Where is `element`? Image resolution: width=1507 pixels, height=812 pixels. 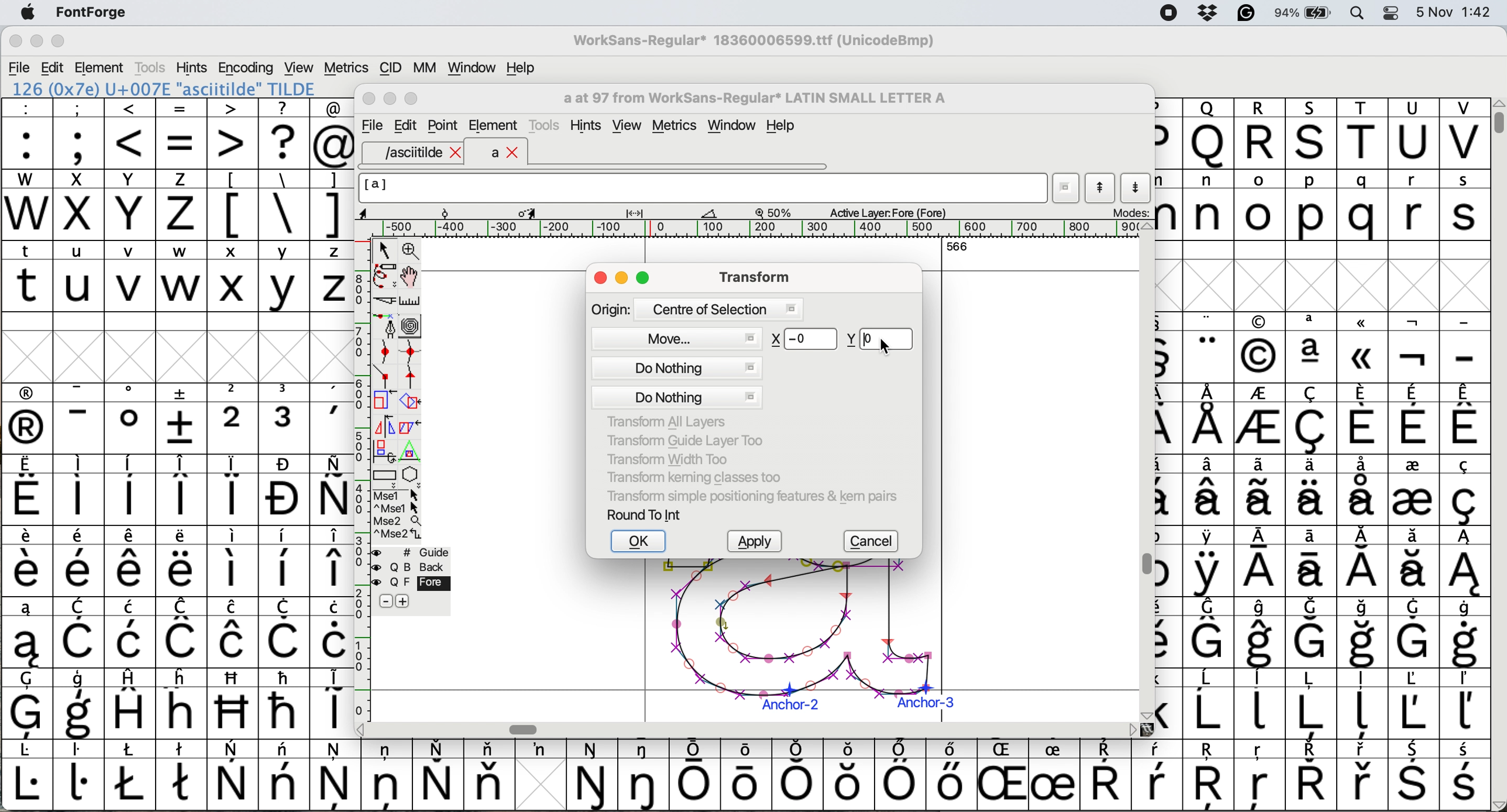 element is located at coordinates (493, 125).